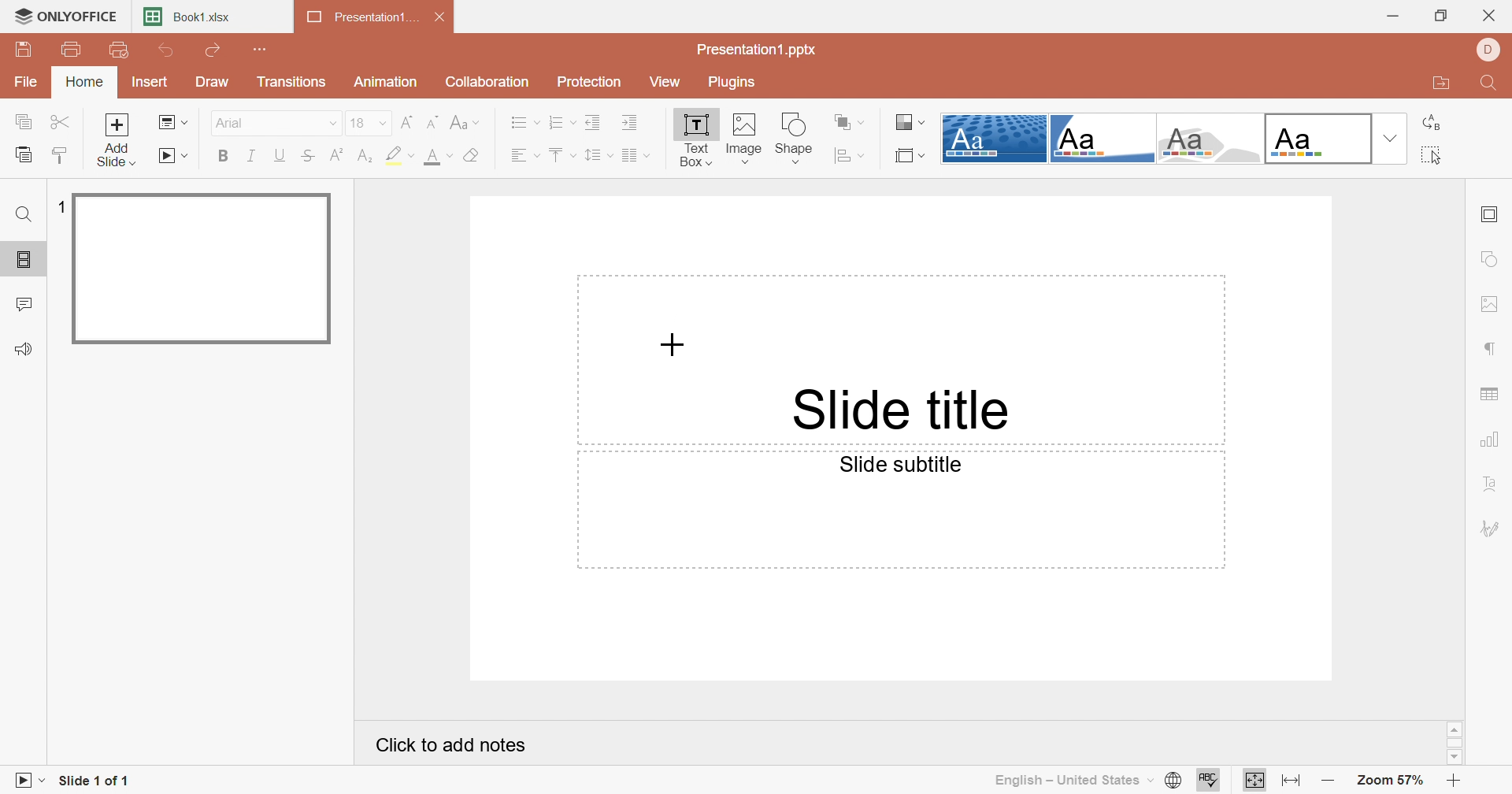 Image resolution: width=1512 pixels, height=794 pixels. I want to click on Change slide layout, so click(172, 123).